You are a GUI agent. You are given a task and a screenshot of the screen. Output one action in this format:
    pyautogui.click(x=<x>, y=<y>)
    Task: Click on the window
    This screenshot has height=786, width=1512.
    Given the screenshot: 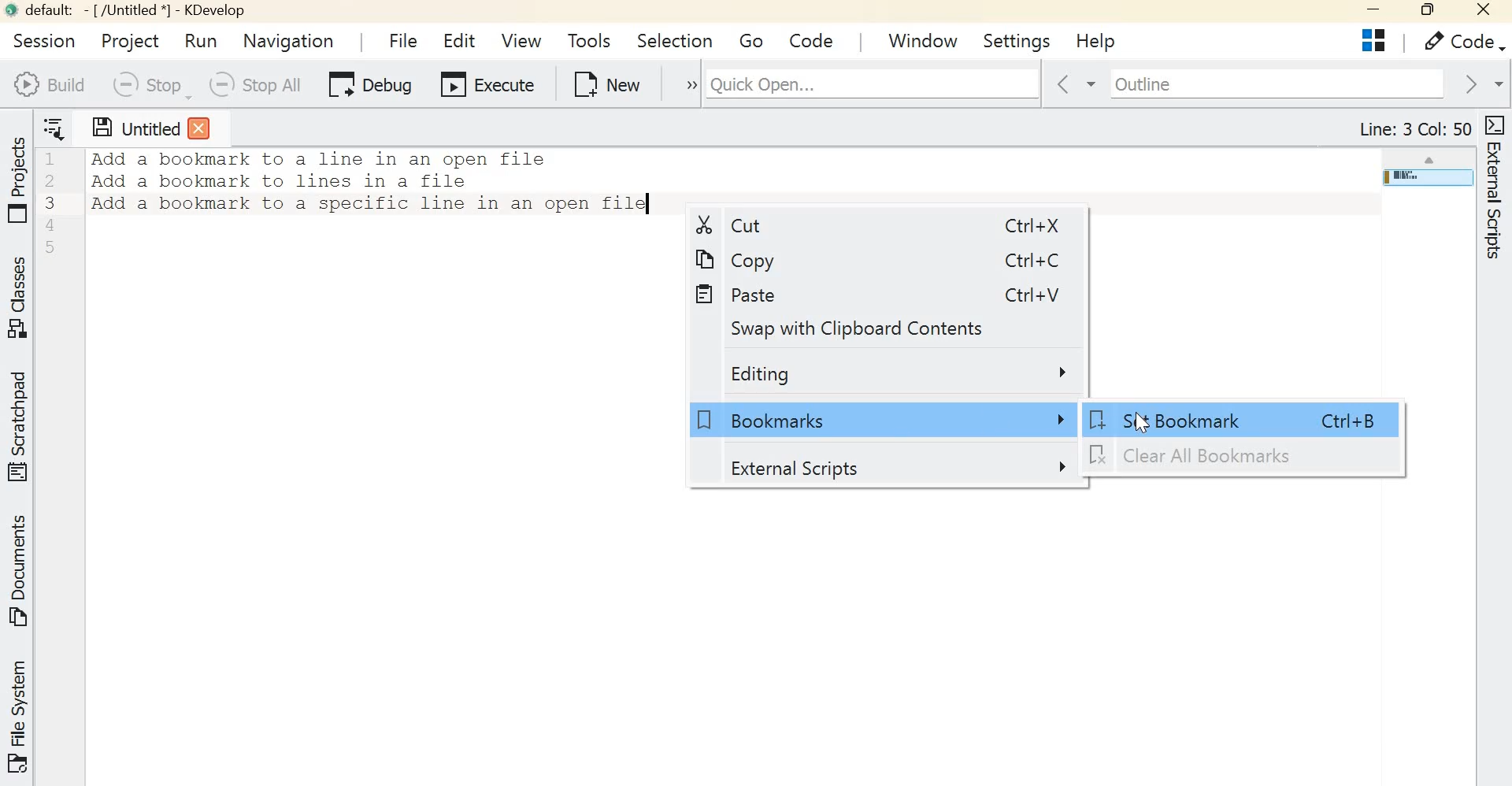 What is the action you would take?
    pyautogui.click(x=923, y=37)
    